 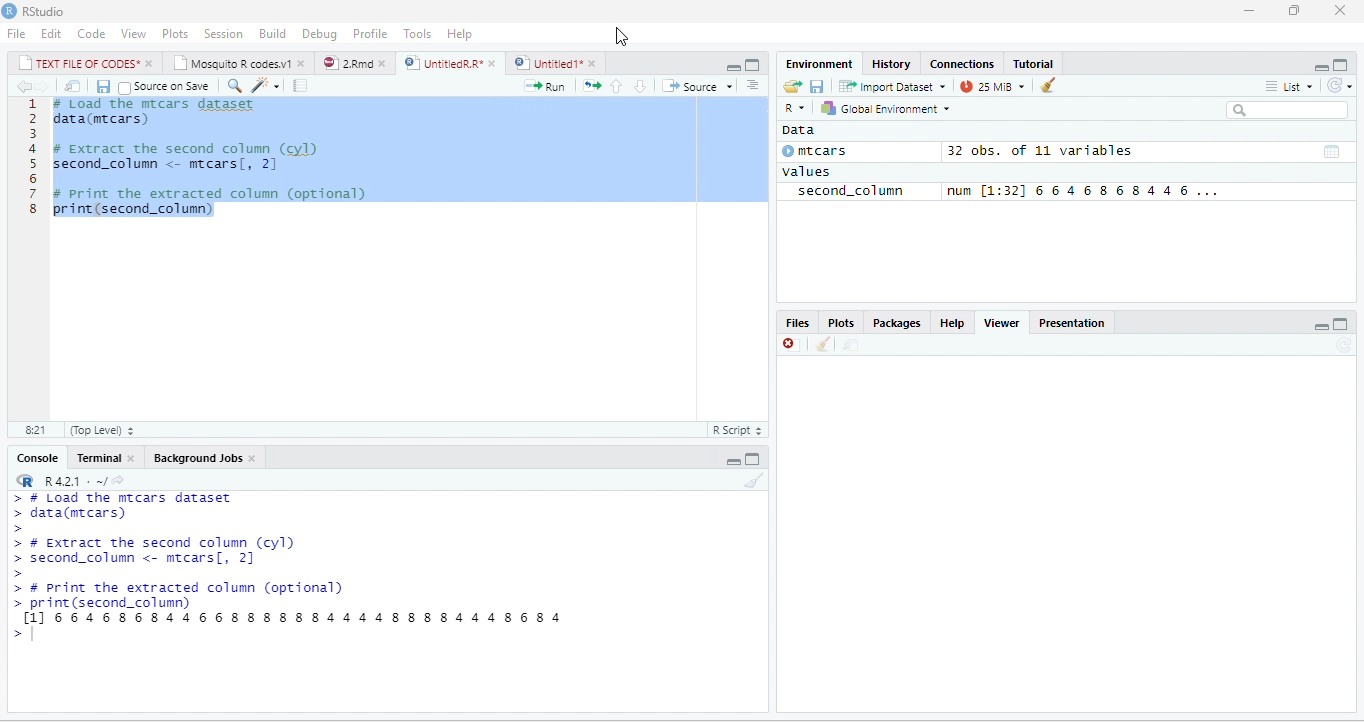 What do you see at coordinates (1320, 324) in the screenshot?
I see `minimize` at bounding box center [1320, 324].